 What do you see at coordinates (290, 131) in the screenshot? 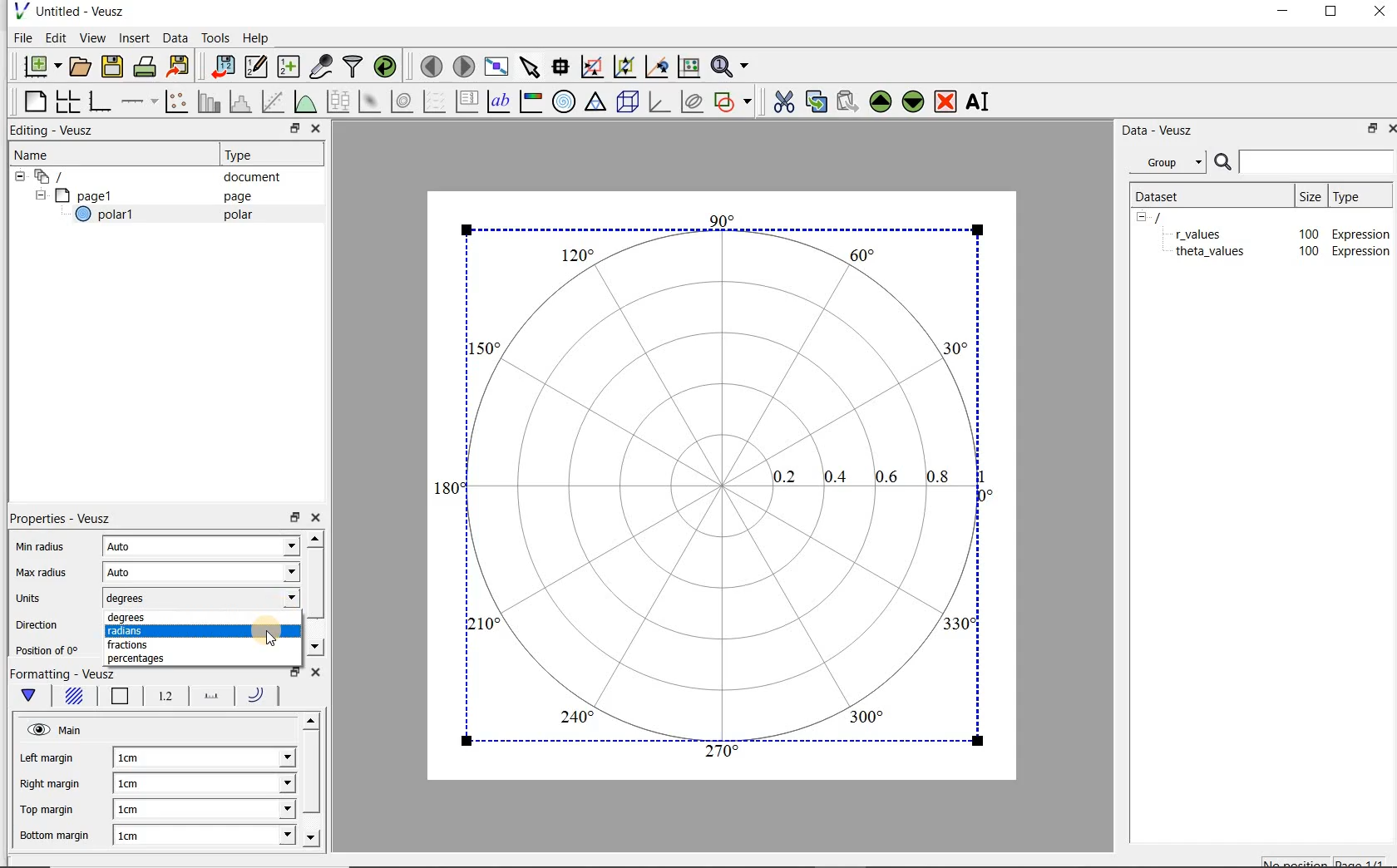
I see `restore down` at bounding box center [290, 131].